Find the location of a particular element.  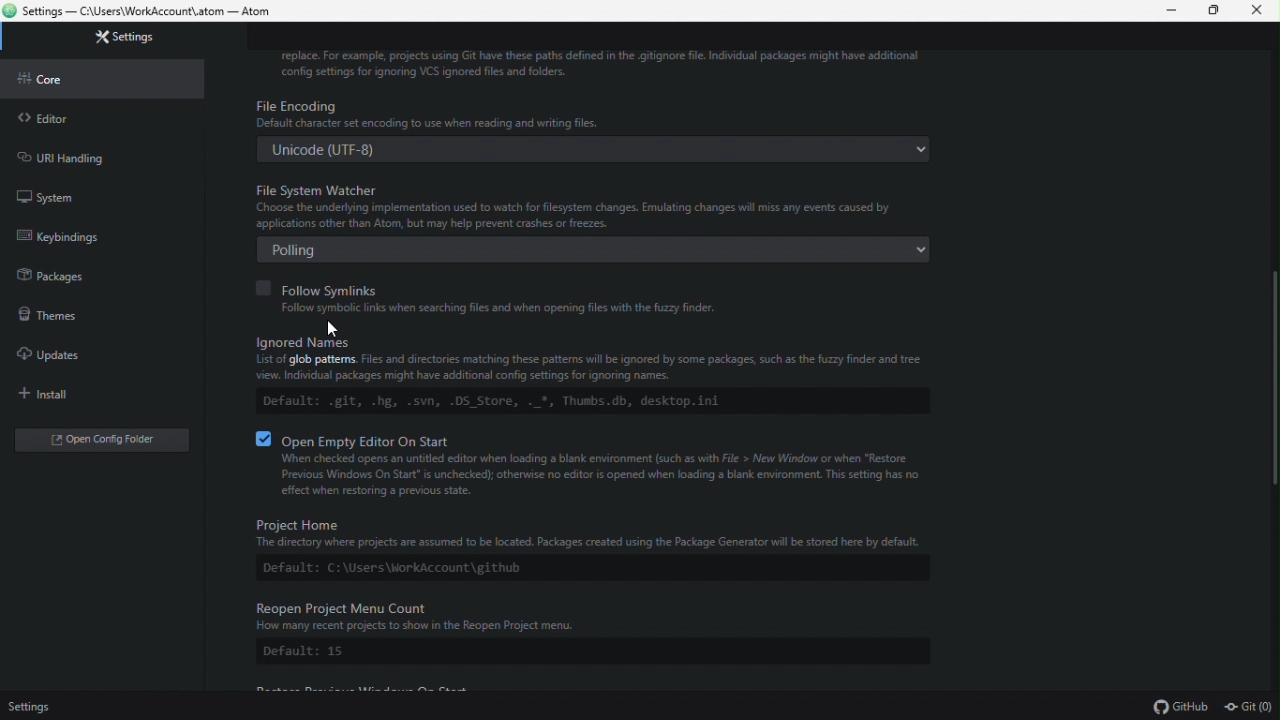

updates is located at coordinates (93, 356).